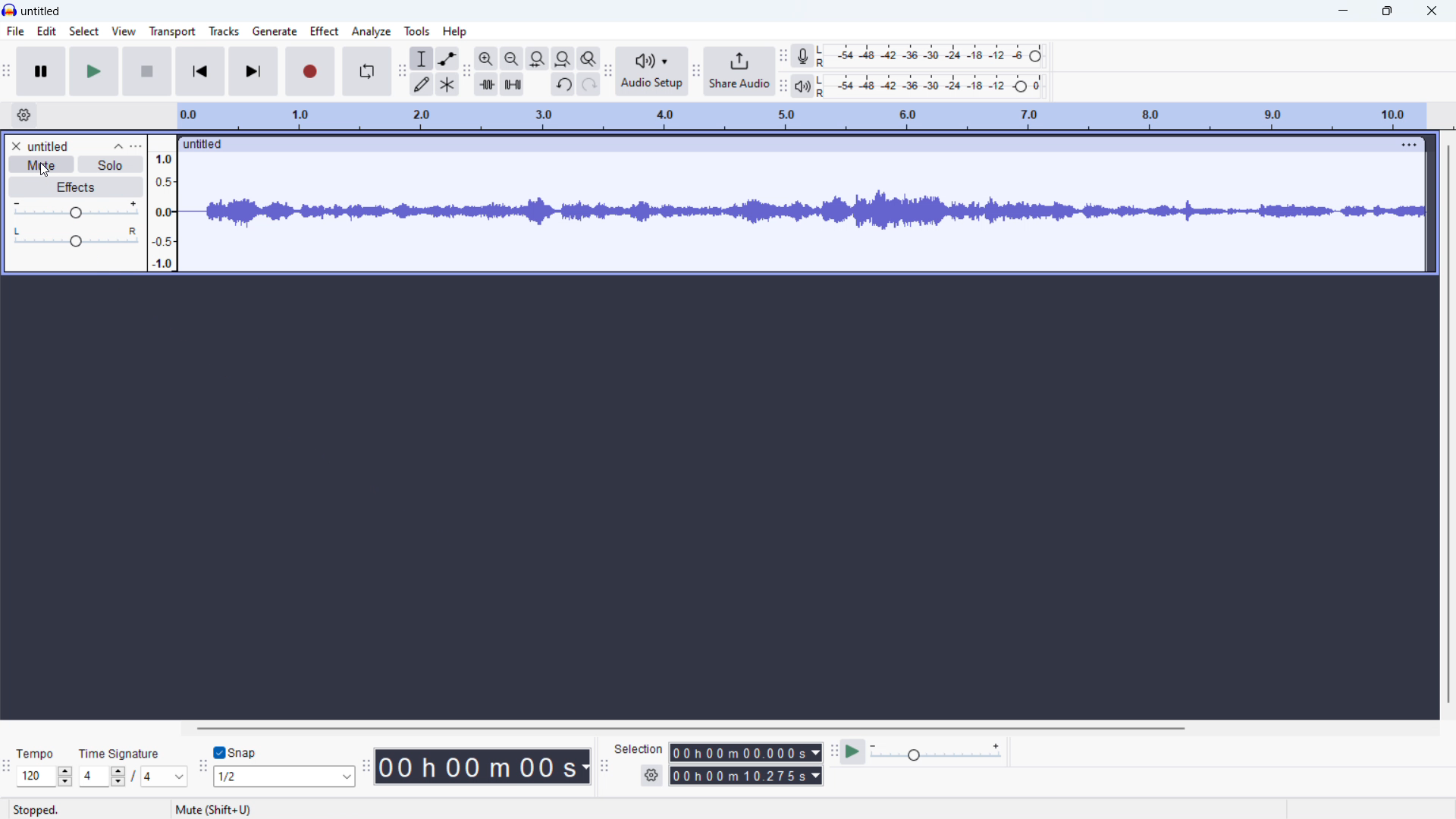 The width and height of the screenshot is (1456, 819). What do you see at coordinates (651, 72) in the screenshot?
I see `audio setup` at bounding box center [651, 72].